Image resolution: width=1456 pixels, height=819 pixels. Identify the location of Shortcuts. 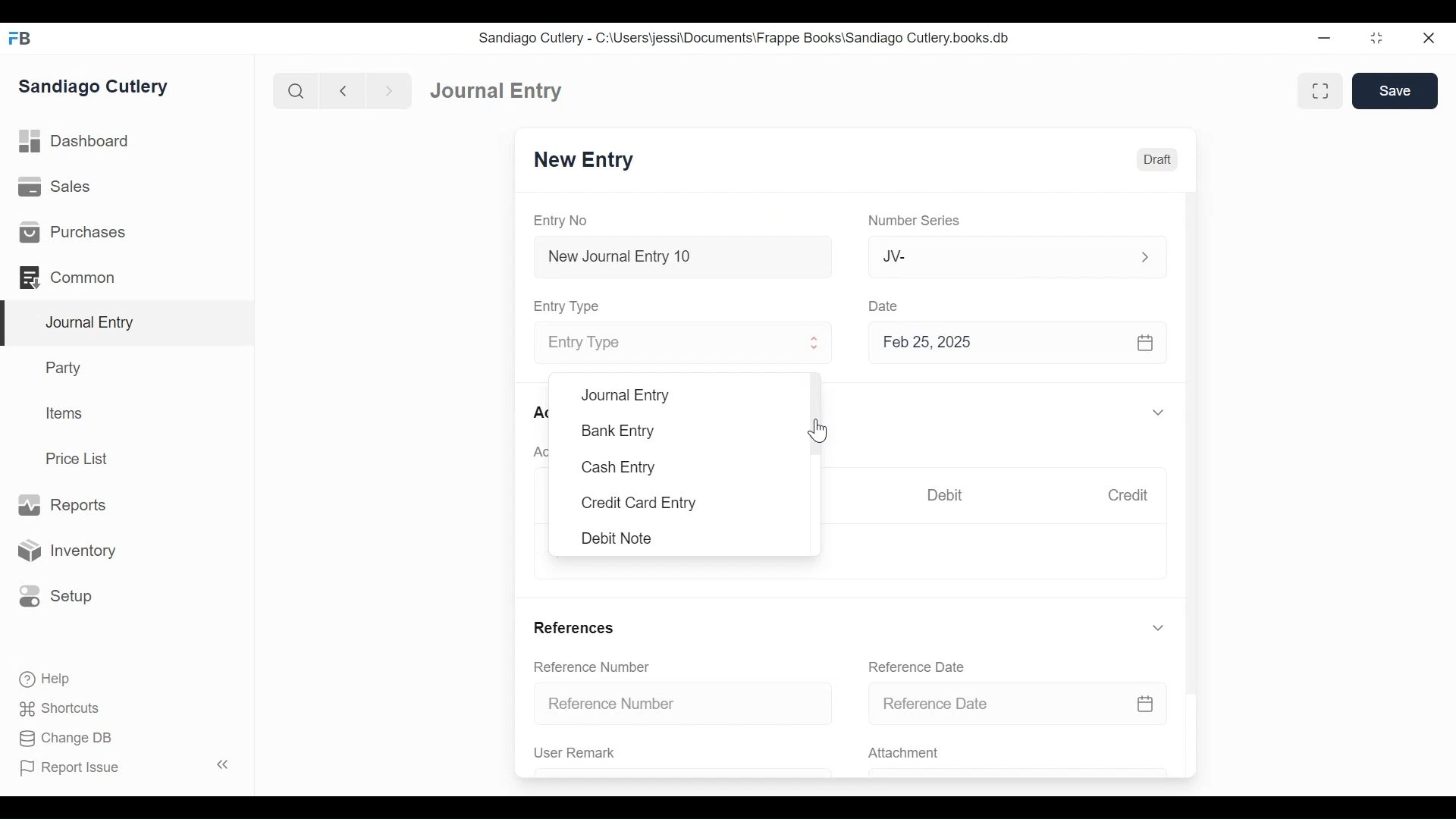
(55, 708).